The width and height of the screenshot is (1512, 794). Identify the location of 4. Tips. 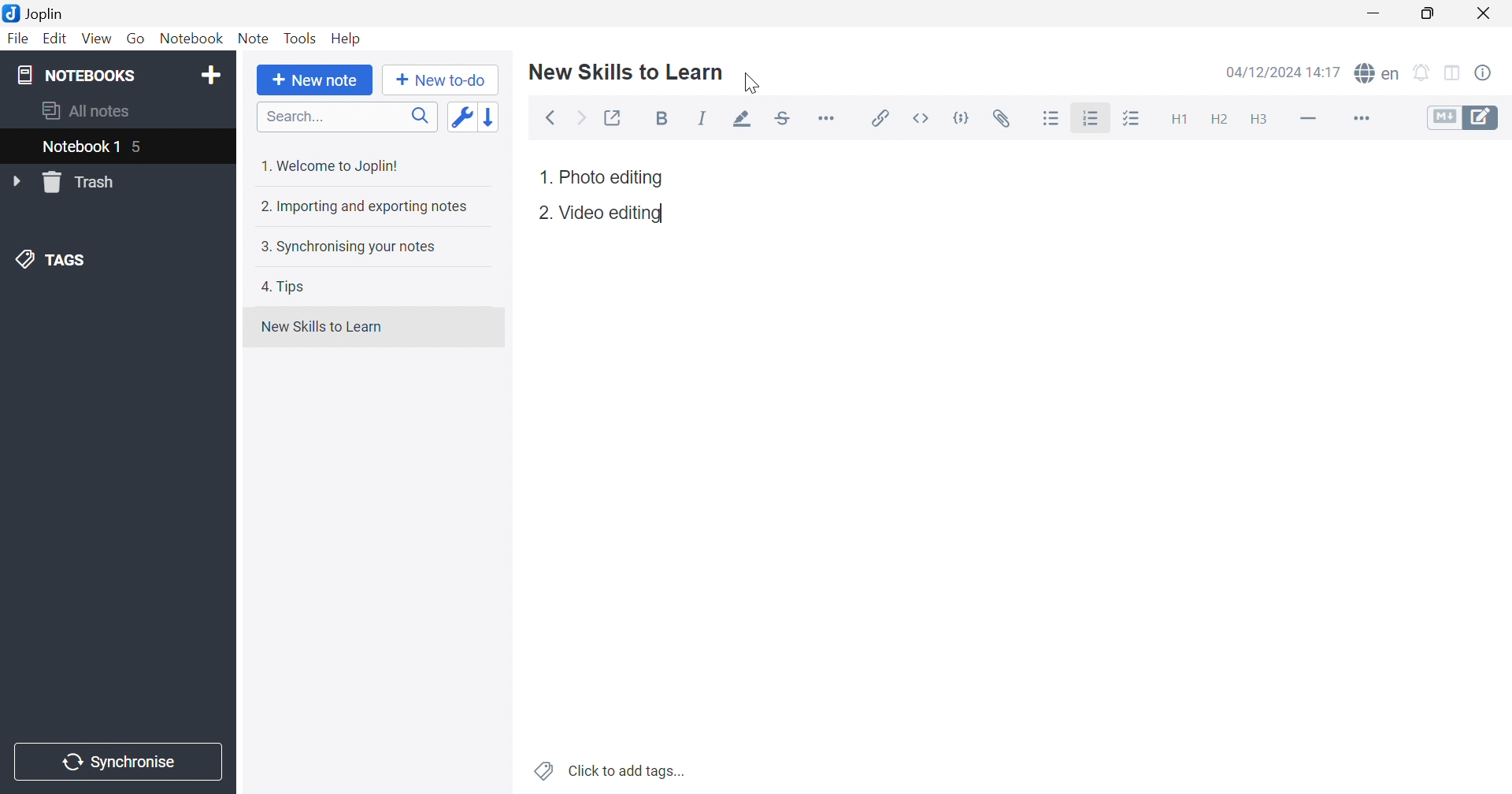
(283, 287).